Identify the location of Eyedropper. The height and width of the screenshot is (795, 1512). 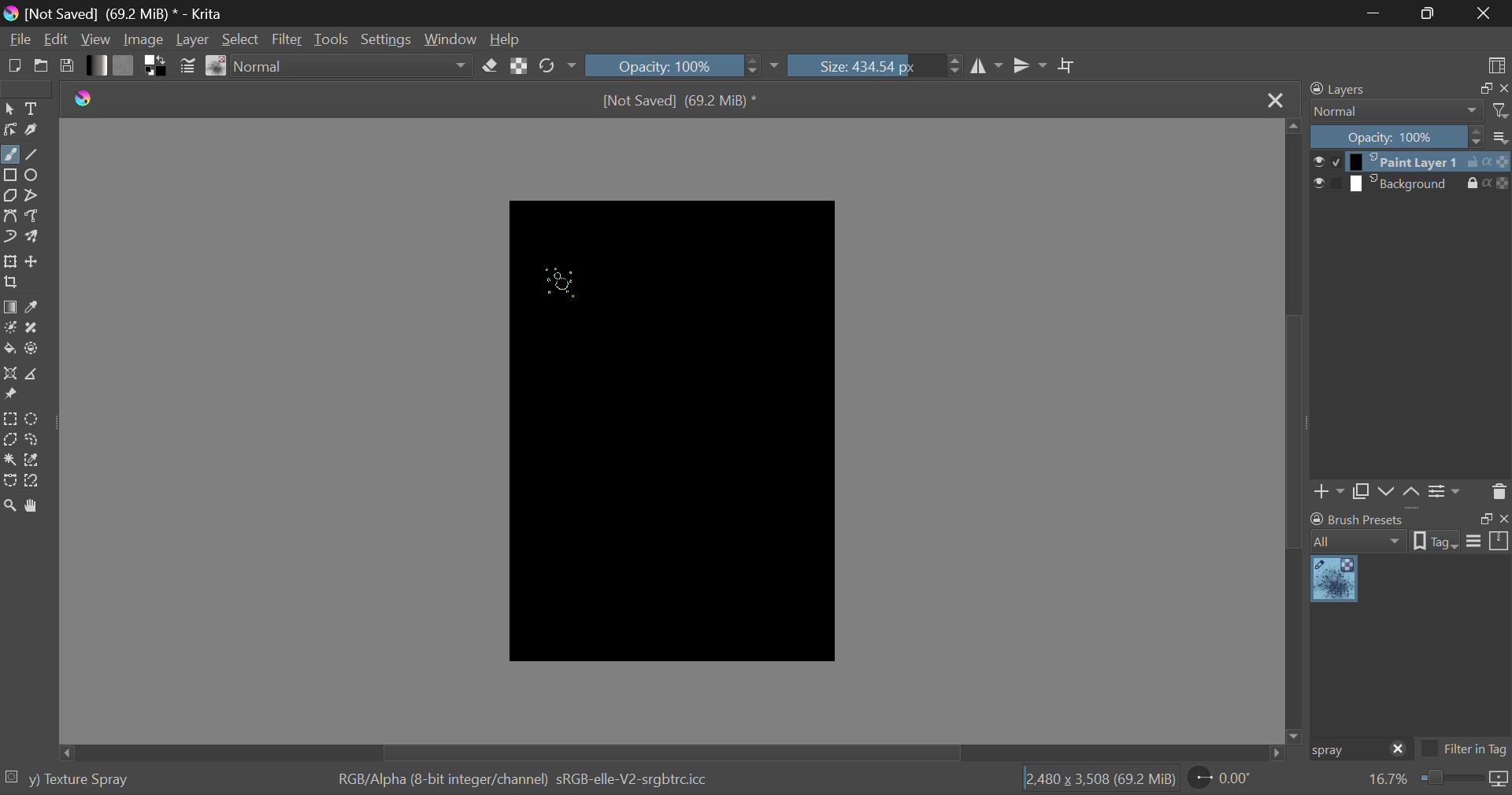
(34, 309).